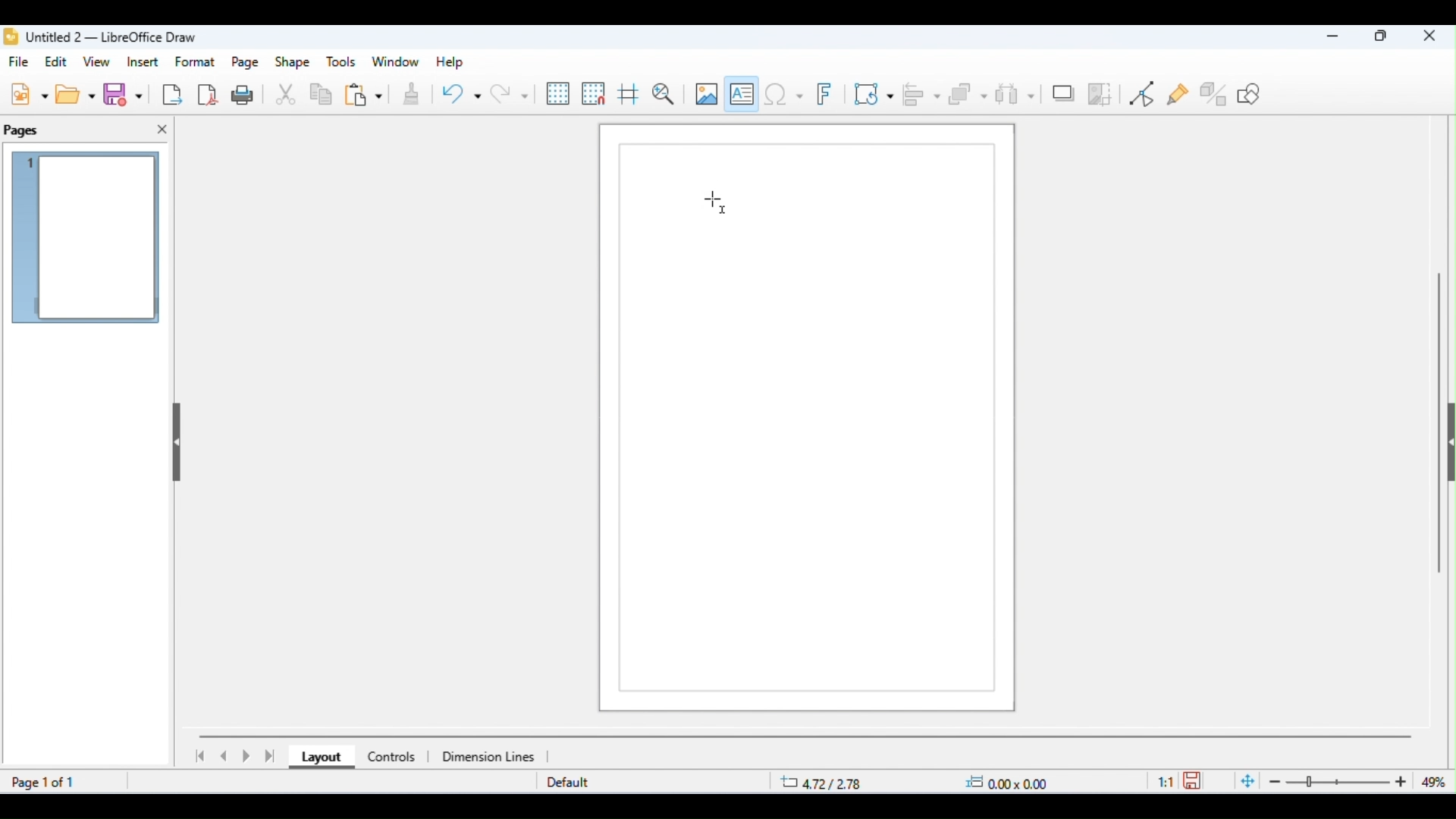  I want to click on window, so click(396, 62).